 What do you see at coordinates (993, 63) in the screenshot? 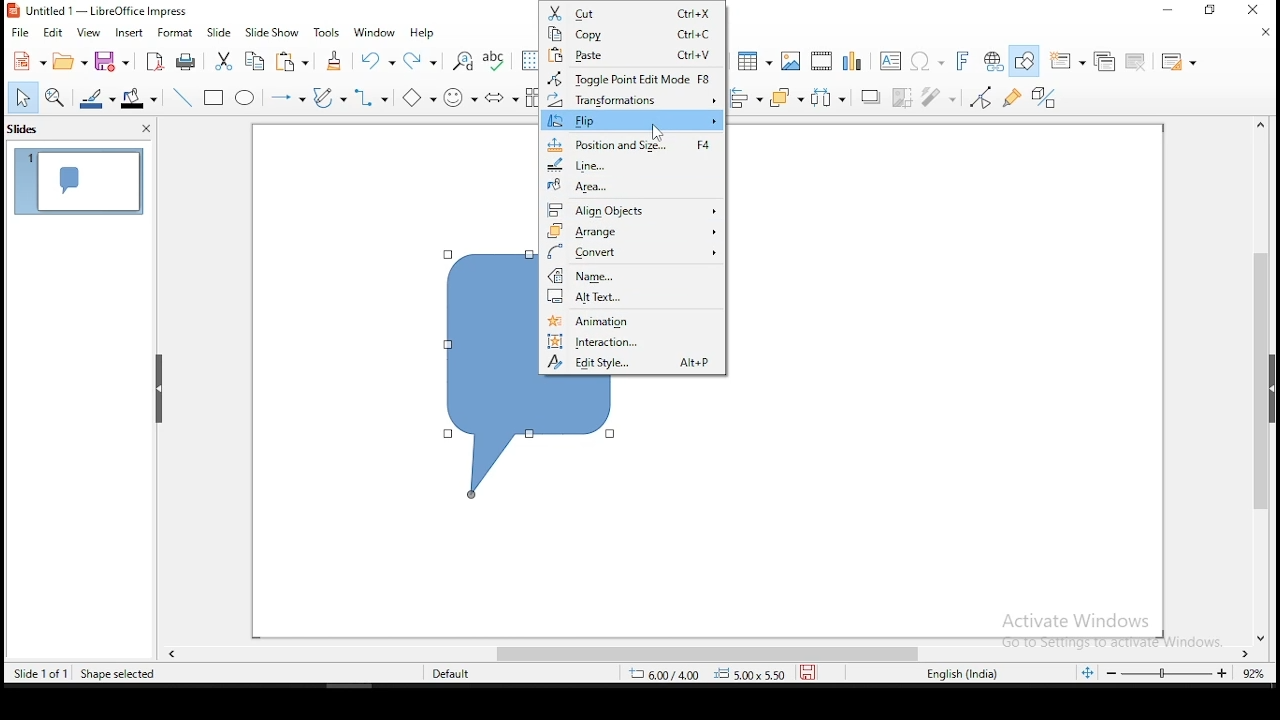
I see `insert hyperlink` at bounding box center [993, 63].